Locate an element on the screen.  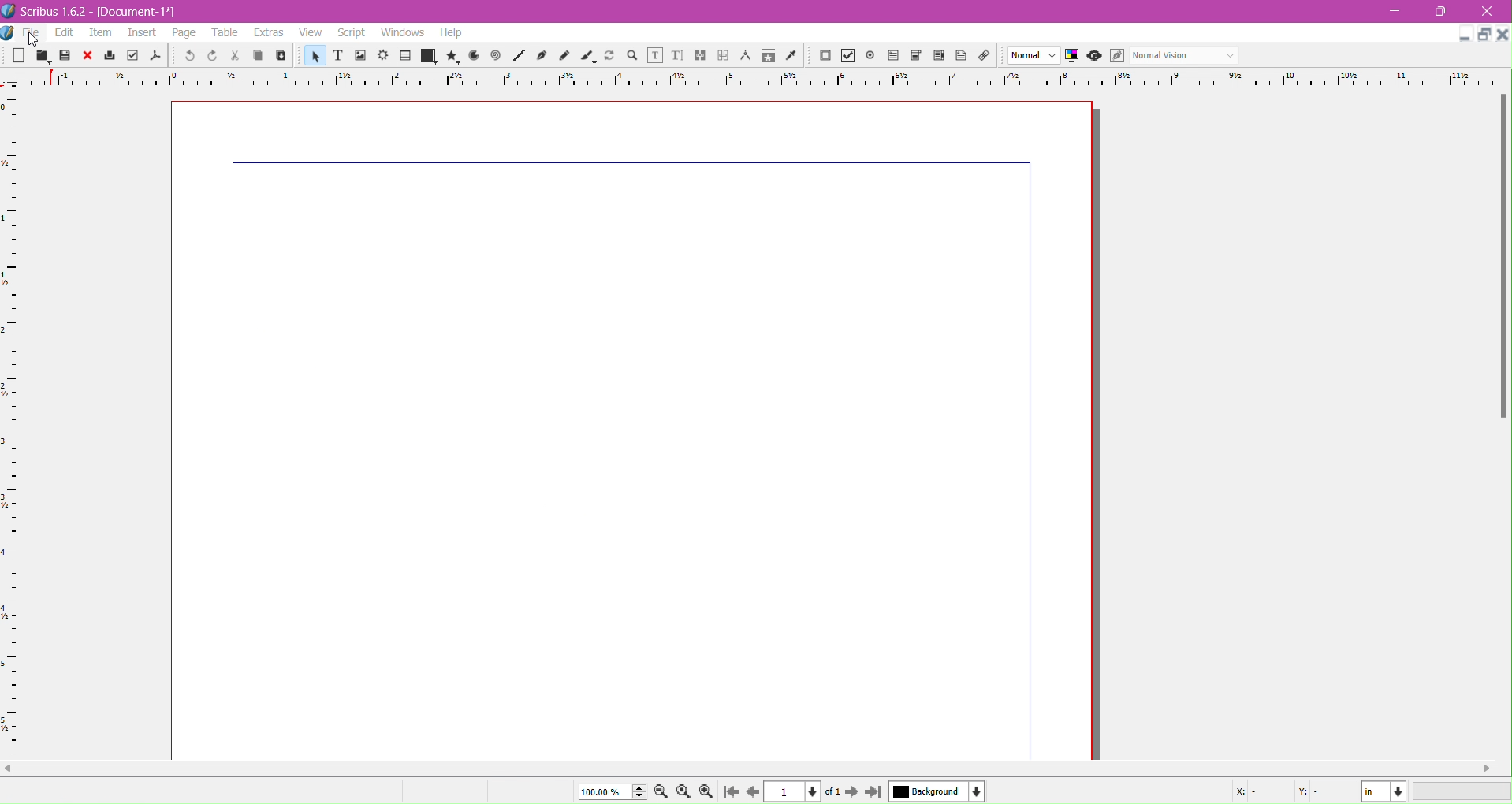
document name is located at coordinates (140, 13).